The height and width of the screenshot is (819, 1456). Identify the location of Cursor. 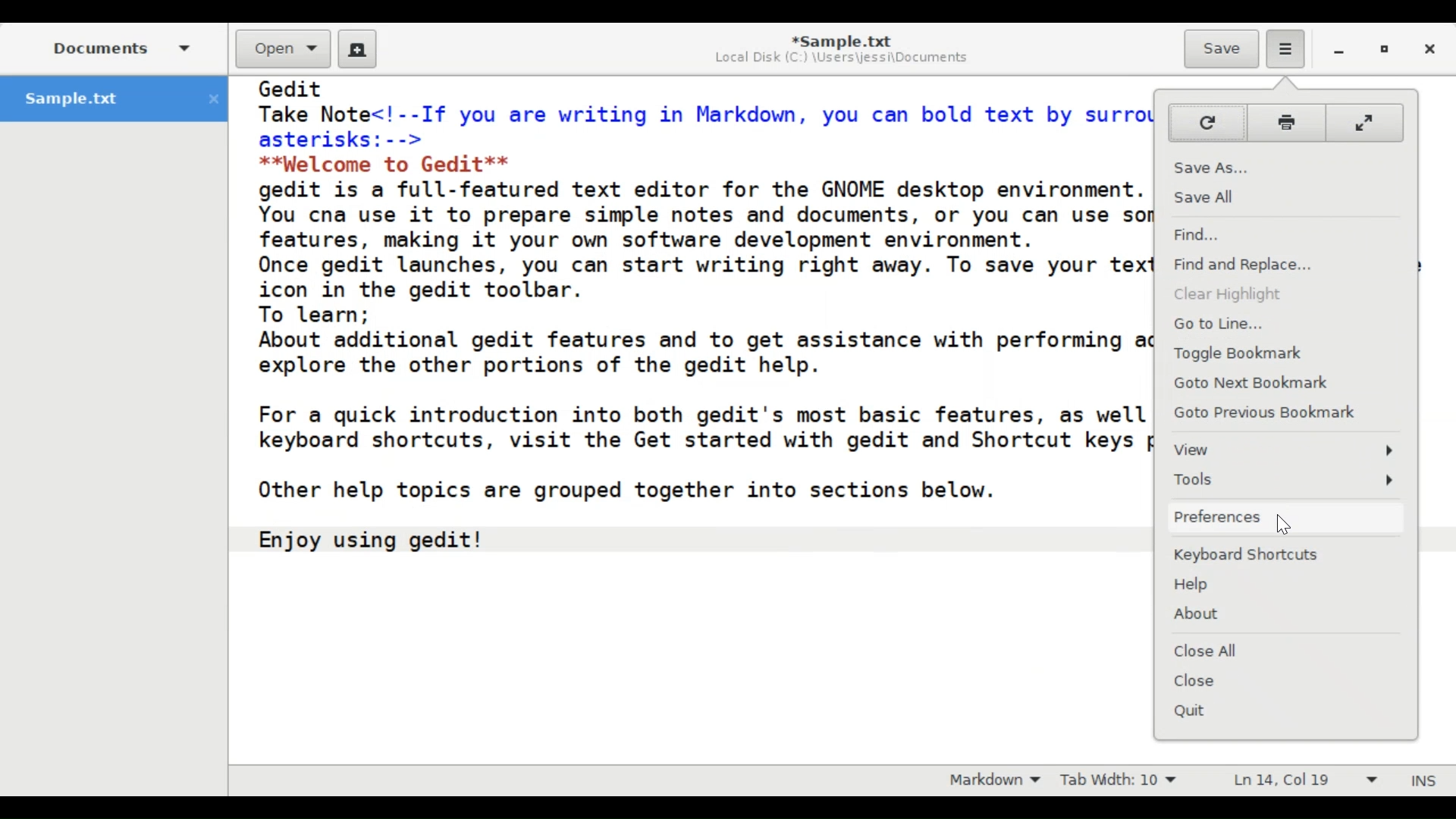
(1282, 526).